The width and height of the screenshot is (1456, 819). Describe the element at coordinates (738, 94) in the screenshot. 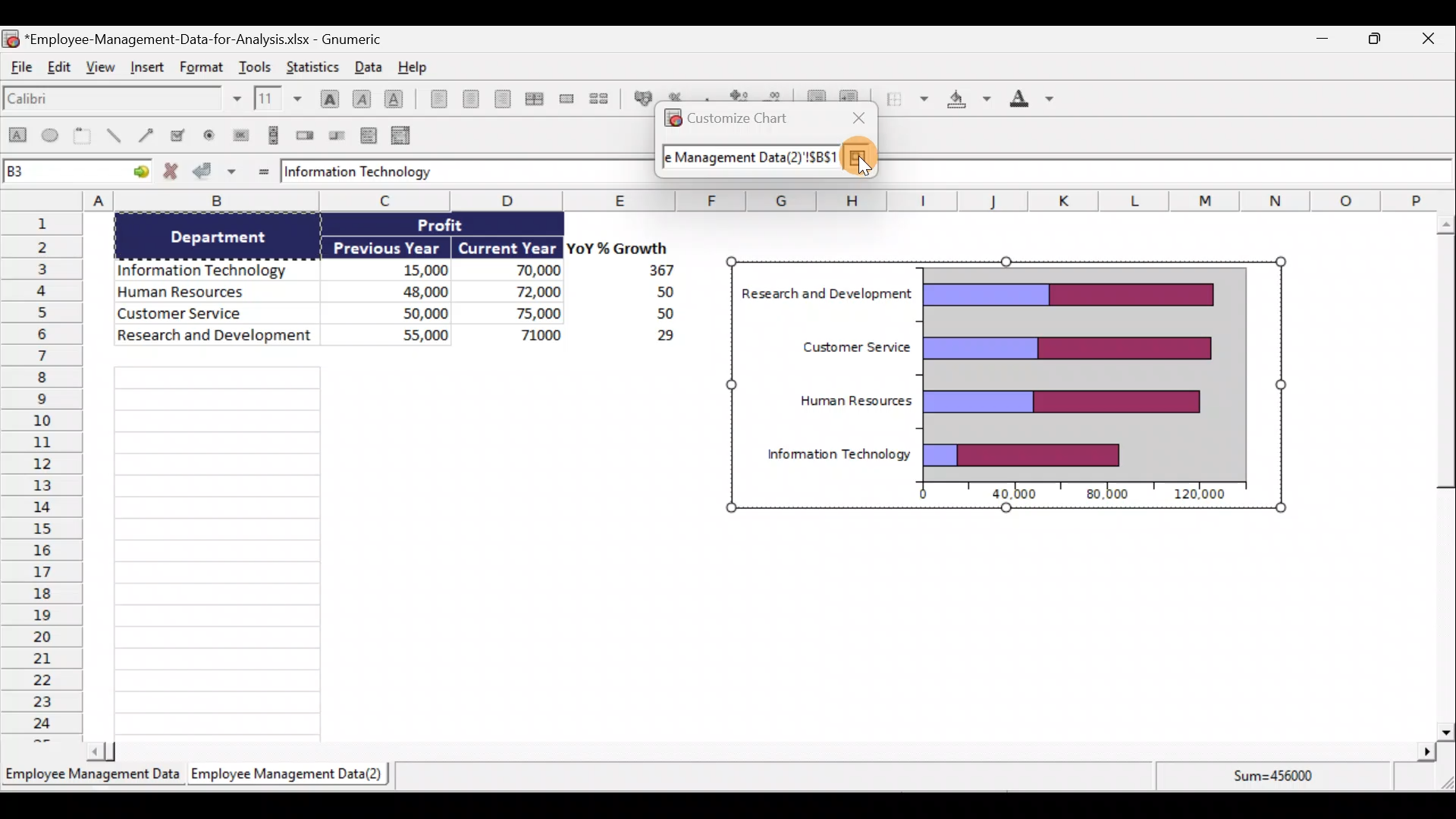

I see `Increase decimals` at that location.